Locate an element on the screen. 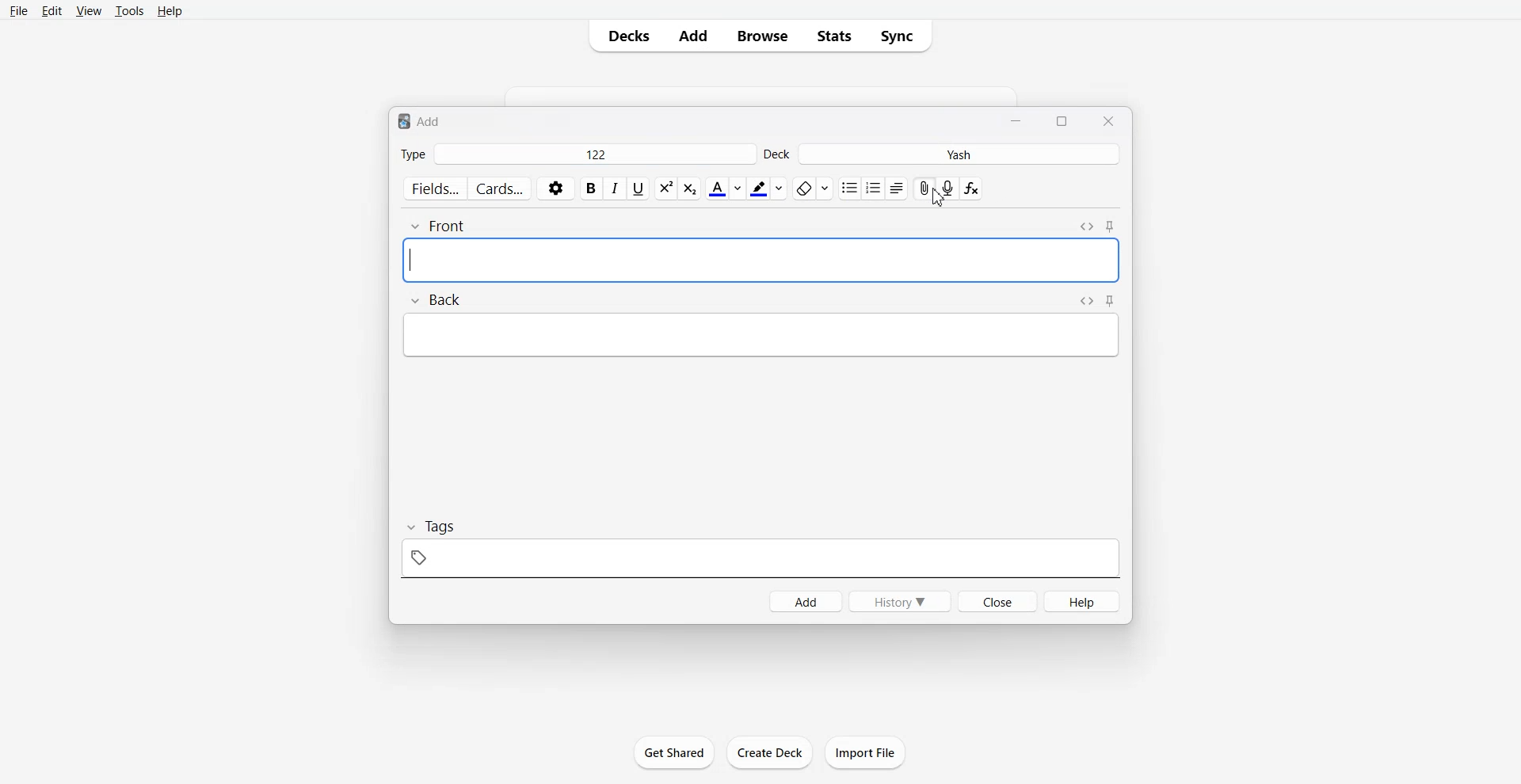 This screenshot has height=784, width=1521. Deck is located at coordinates (779, 154).